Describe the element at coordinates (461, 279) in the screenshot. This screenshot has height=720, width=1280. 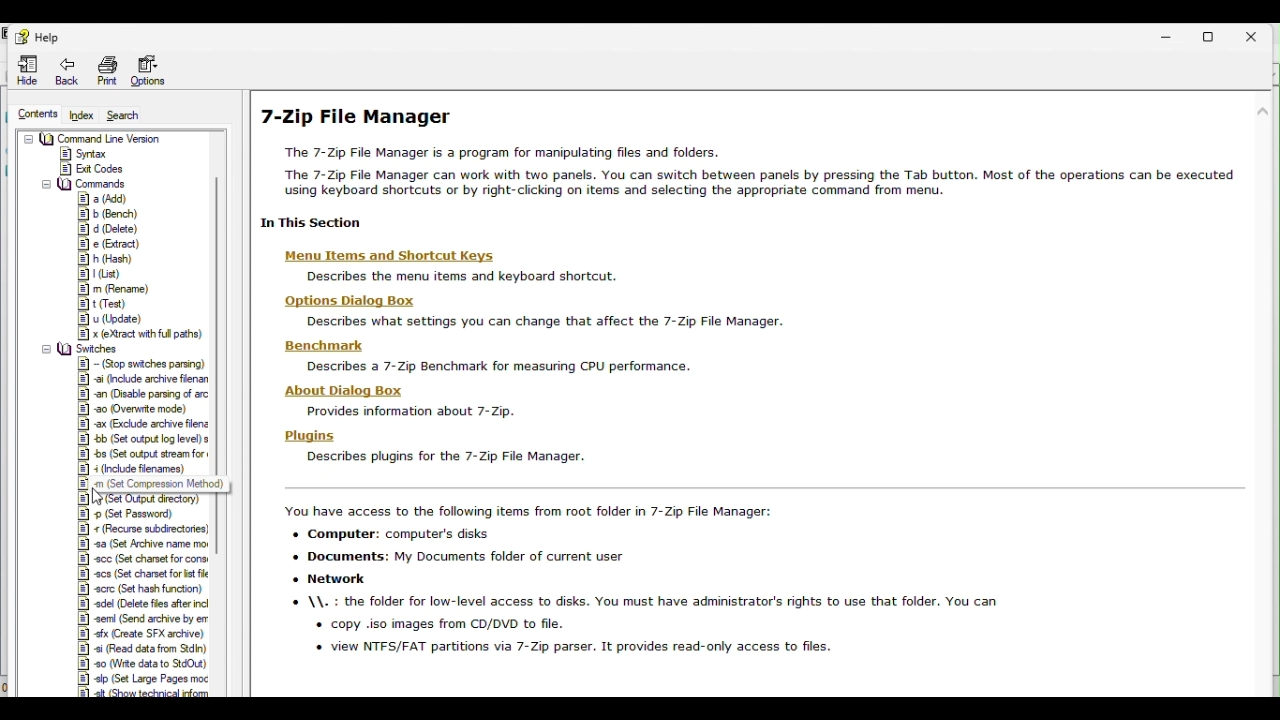
I see `description text` at that location.